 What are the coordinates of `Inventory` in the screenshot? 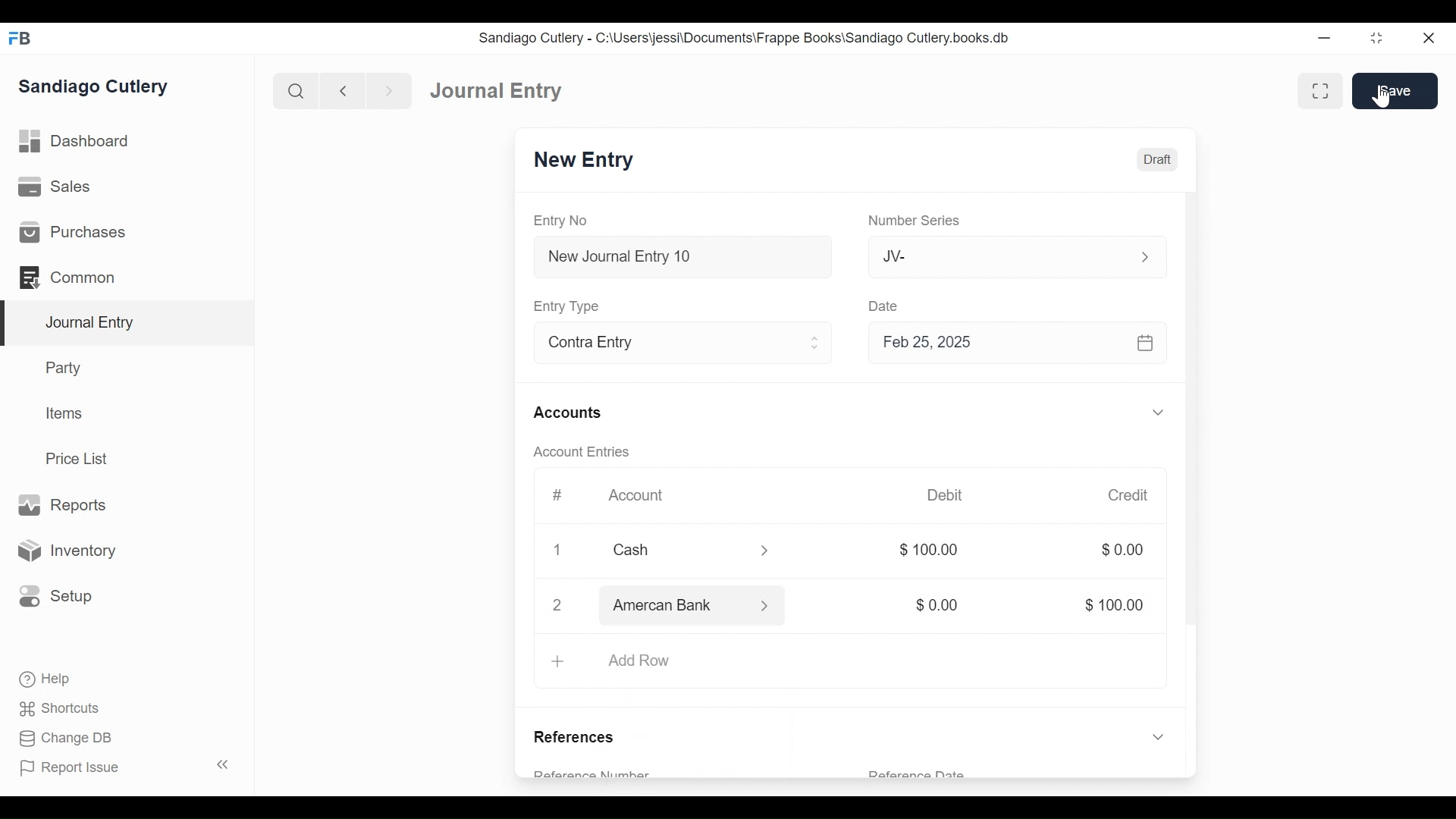 It's located at (71, 550).